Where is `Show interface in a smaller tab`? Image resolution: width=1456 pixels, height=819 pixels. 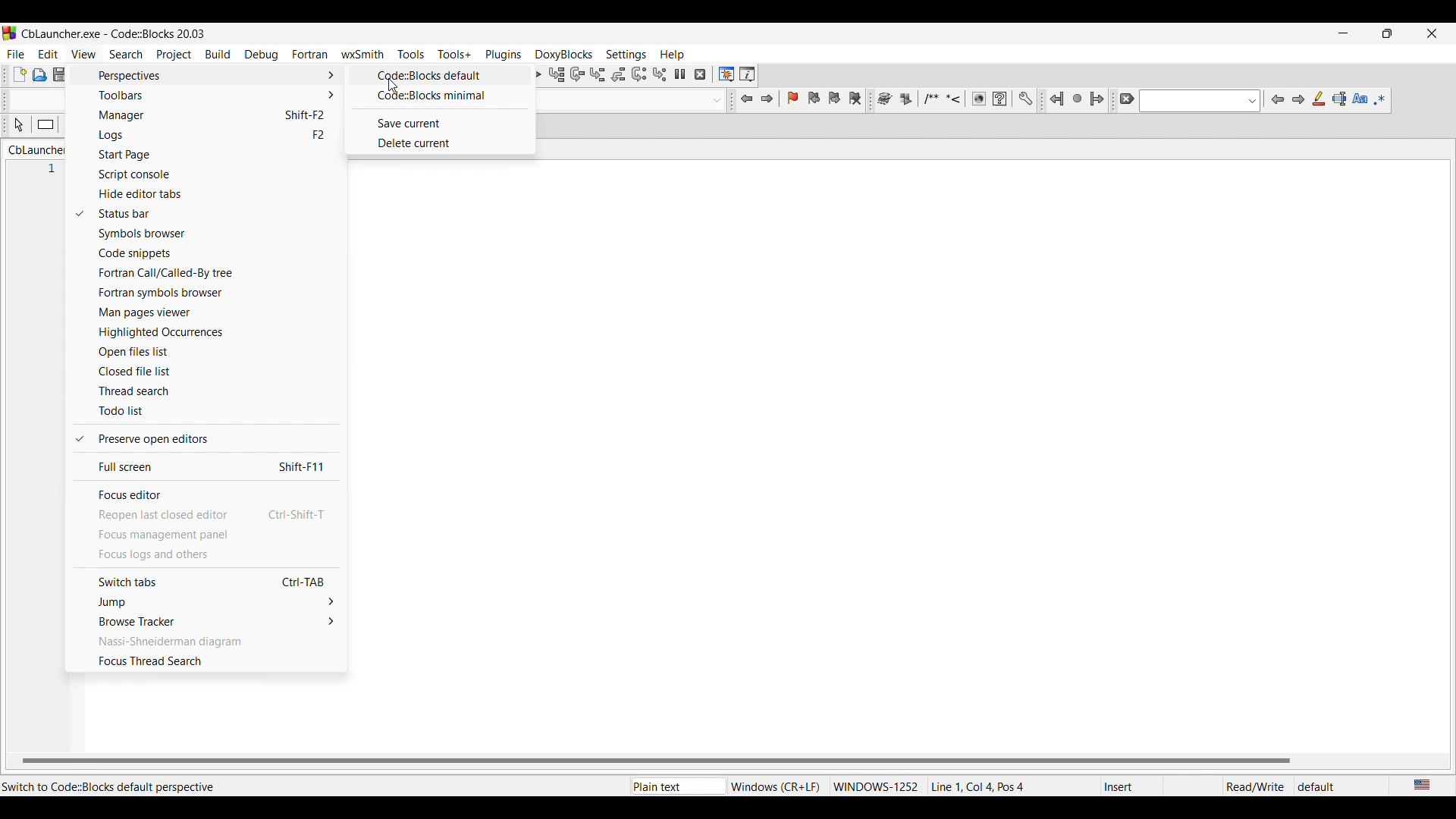
Show interface in a smaller tab is located at coordinates (1388, 33).